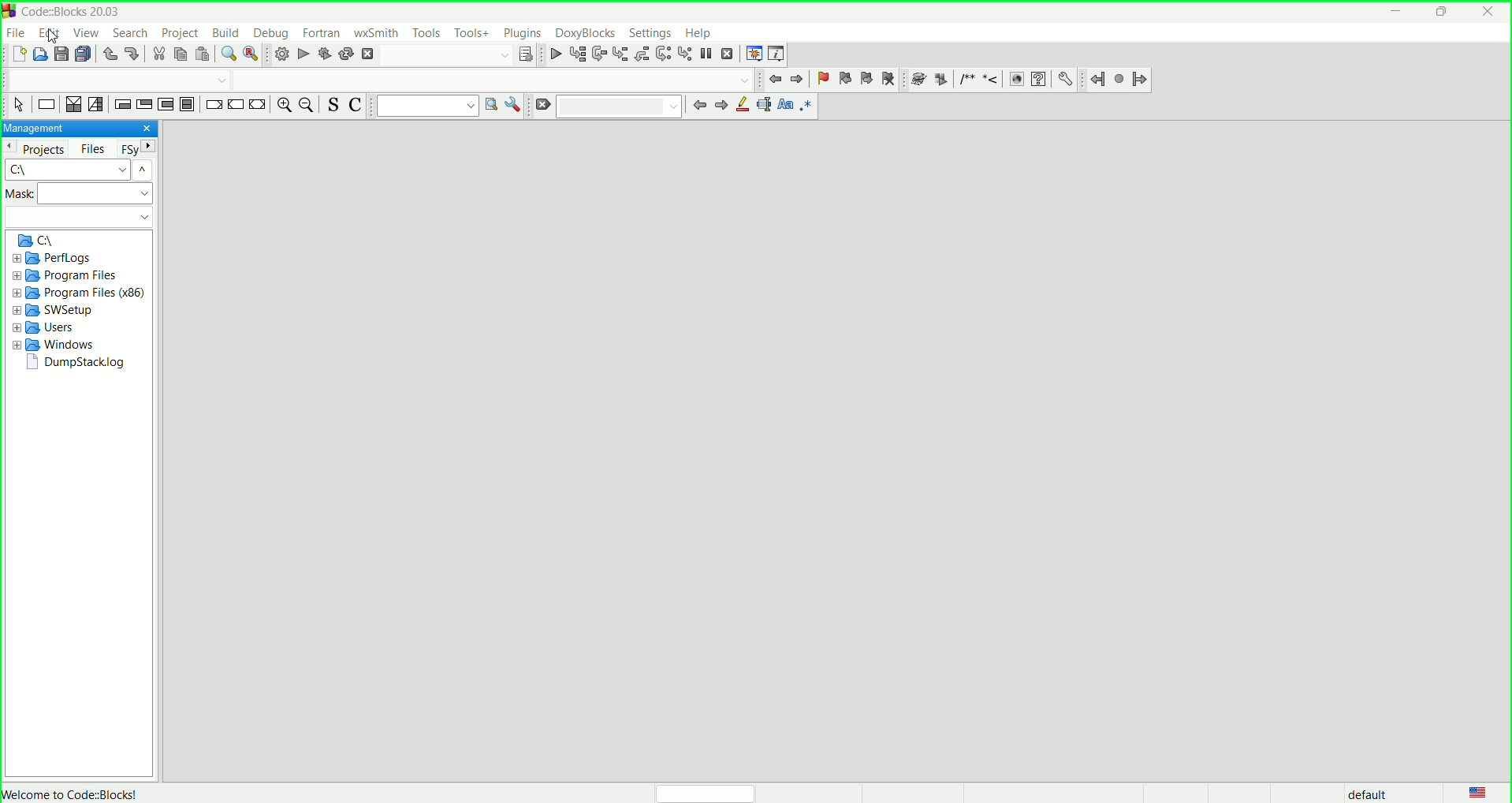  What do you see at coordinates (1066, 79) in the screenshot?
I see `Preferences` at bounding box center [1066, 79].